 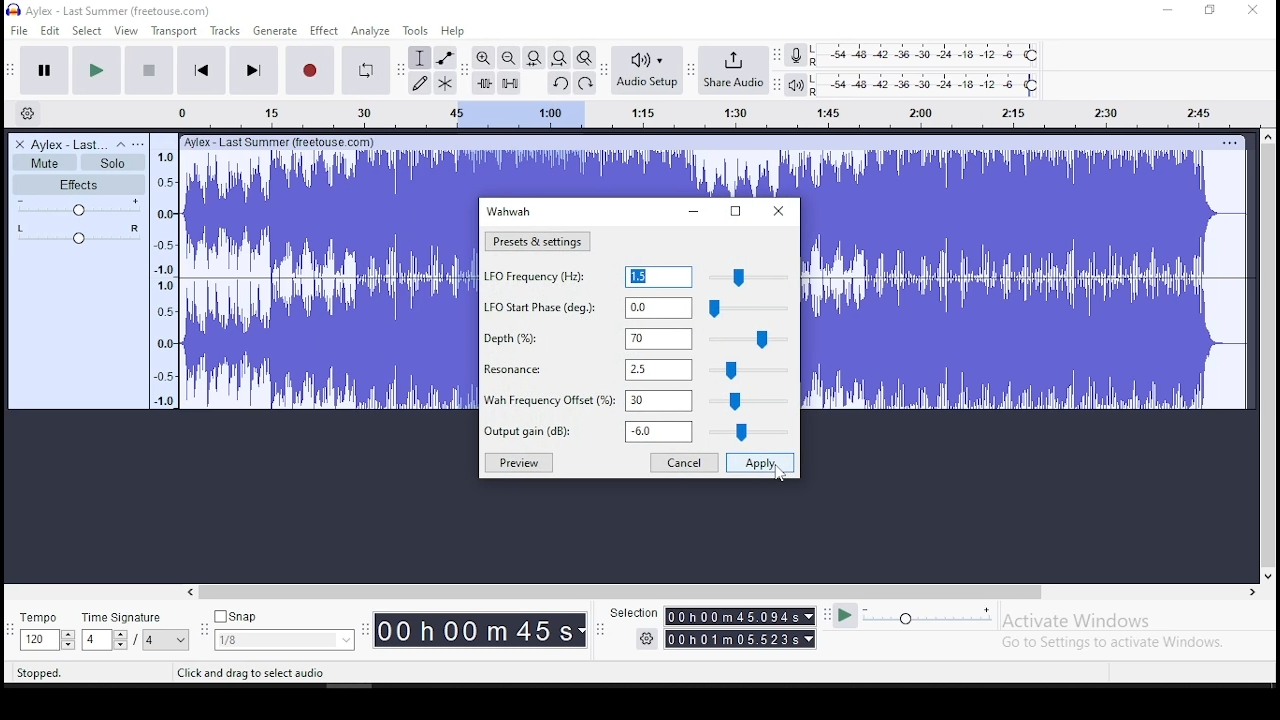 I want to click on volume, so click(x=78, y=206).